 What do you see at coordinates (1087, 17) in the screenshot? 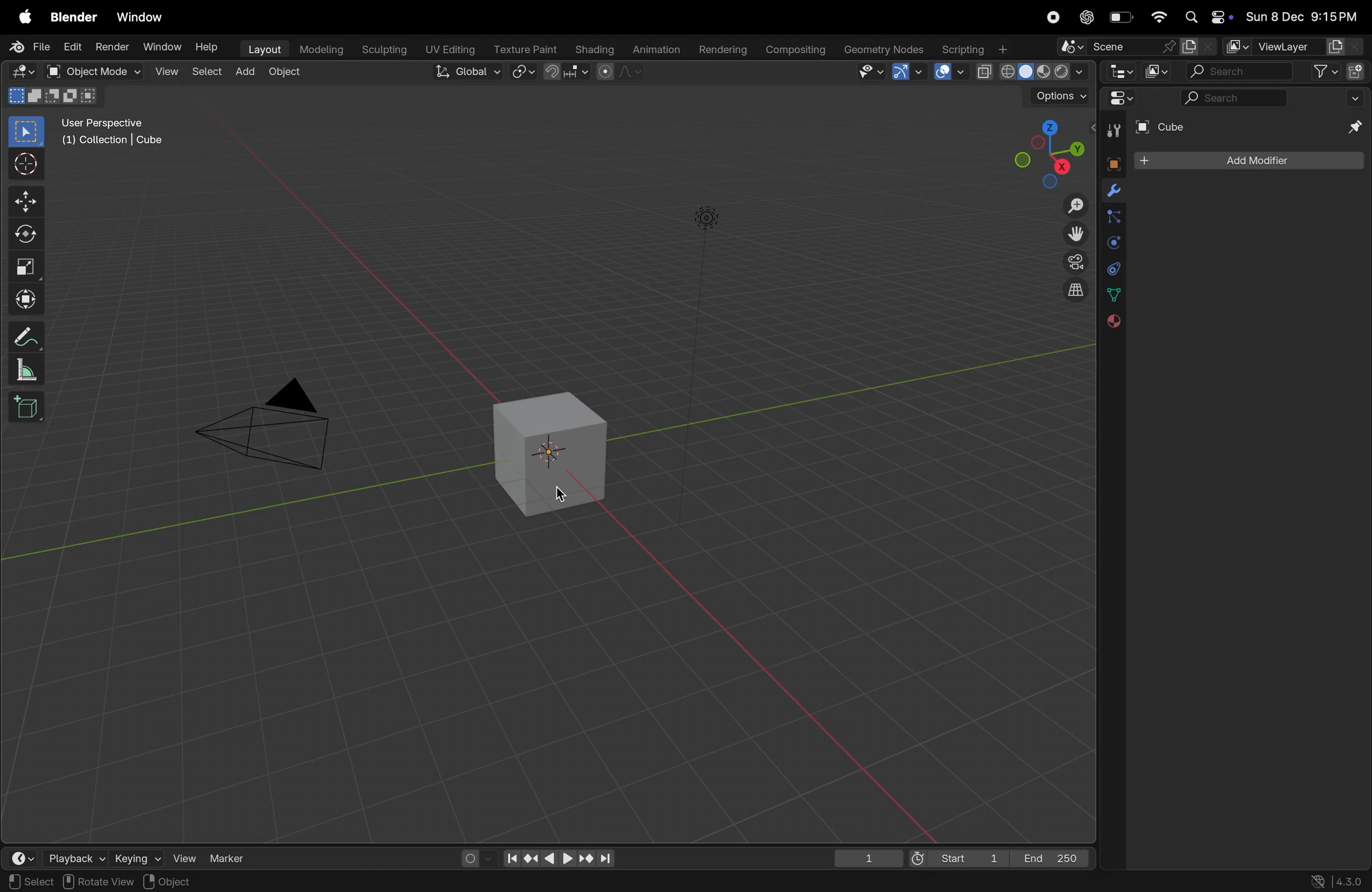
I see `chatgpt` at bounding box center [1087, 17].